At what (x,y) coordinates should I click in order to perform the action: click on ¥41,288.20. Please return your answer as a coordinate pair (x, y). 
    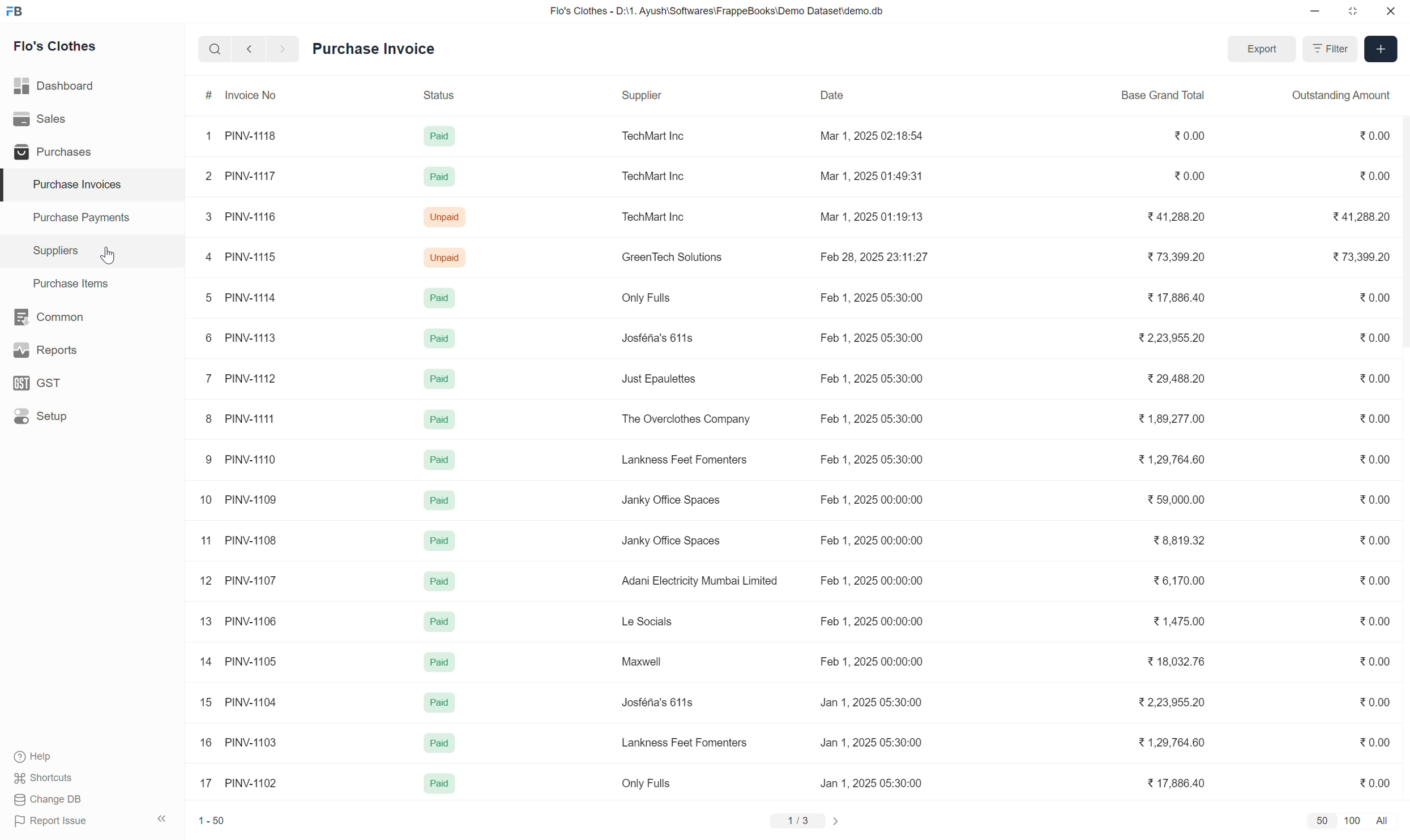
    Looking at the image, I should click on (1167, 216).